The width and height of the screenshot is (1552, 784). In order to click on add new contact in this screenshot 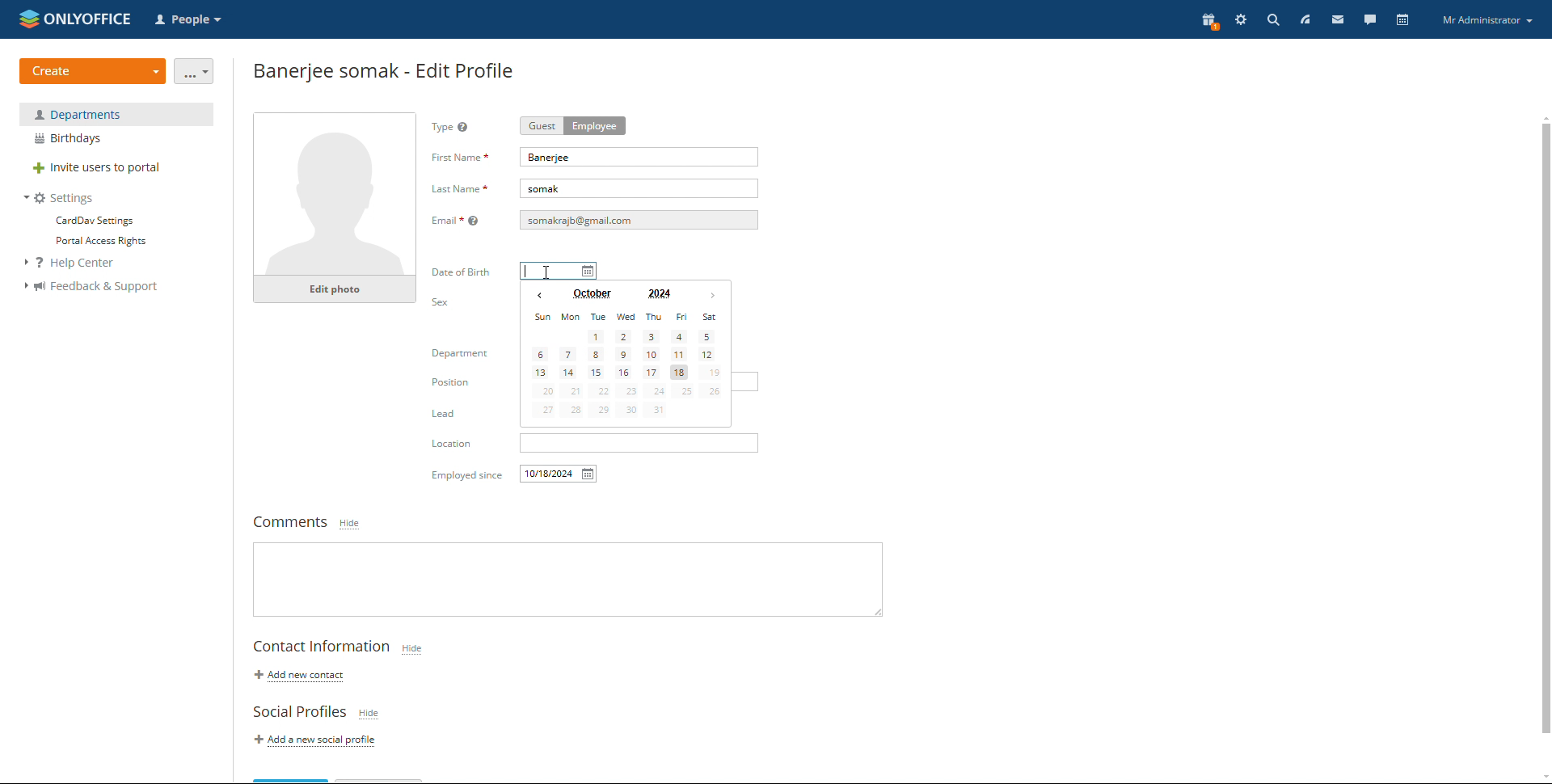, I will do `click(297, 676)`.